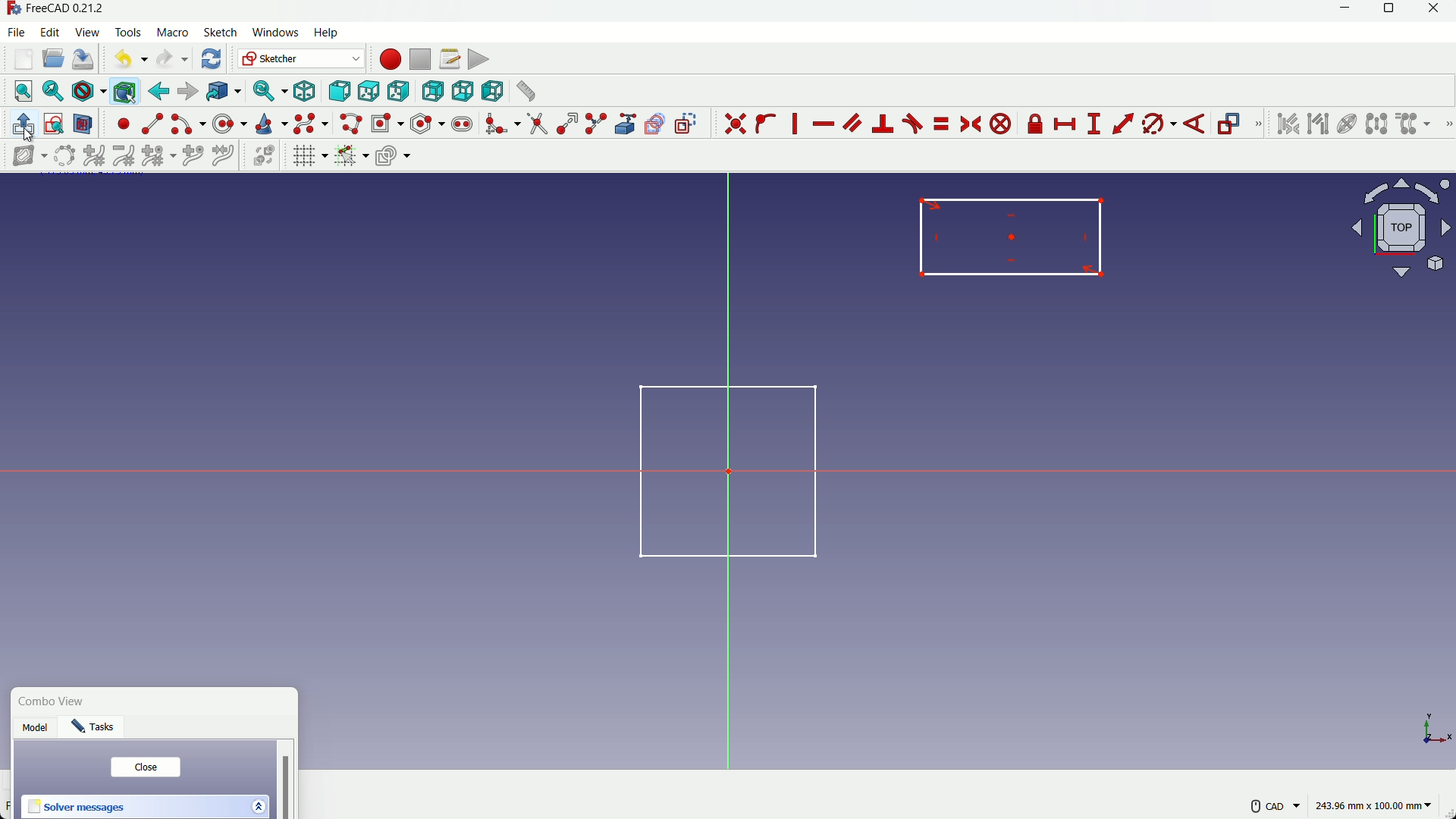  Describe the element at coordinates (490, 90) in the screenshot. I see `left view` at that location.